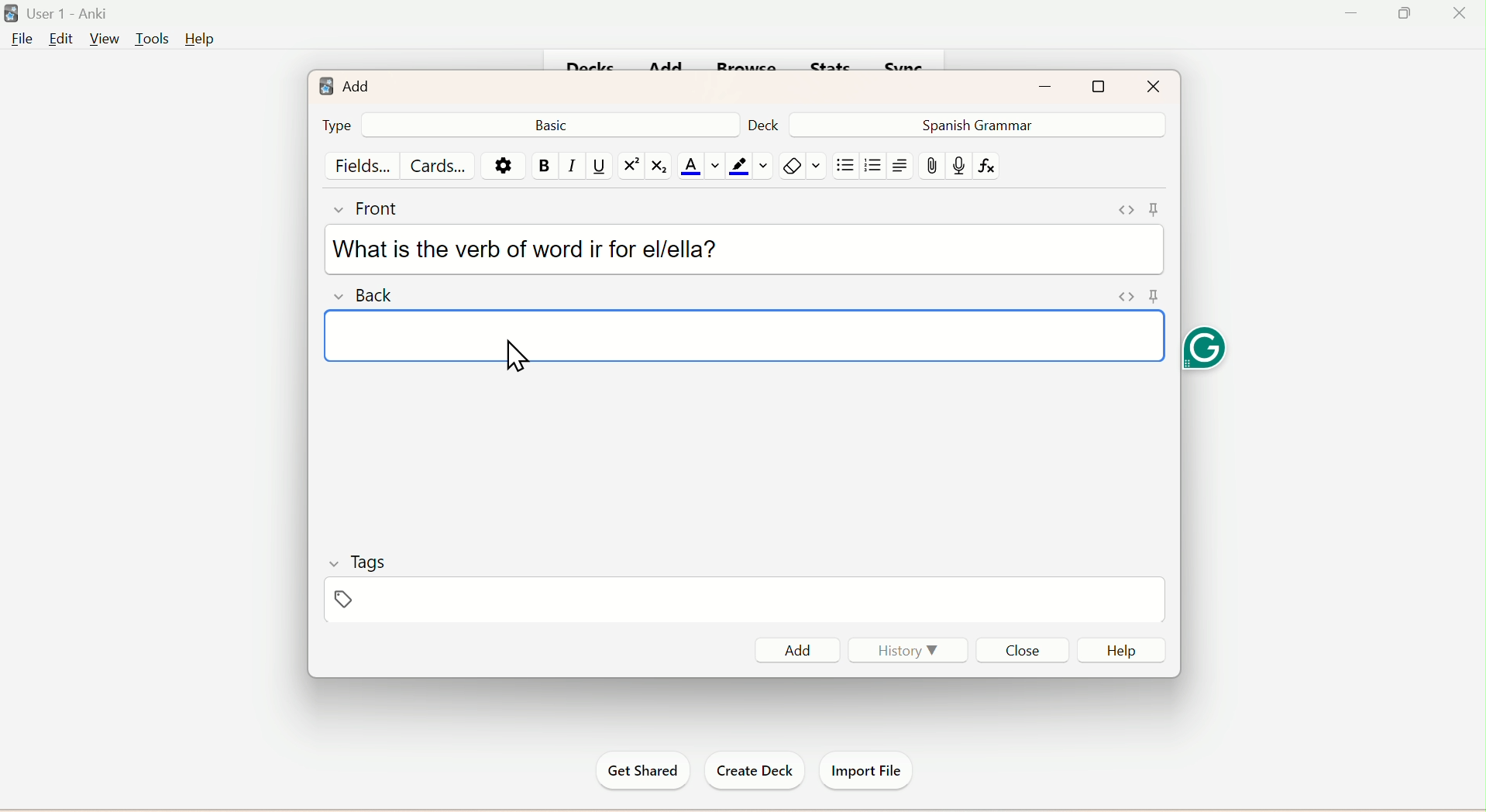  Describe the element at coordinates (335, 125) in the screenshot. I see `Type` at that location.